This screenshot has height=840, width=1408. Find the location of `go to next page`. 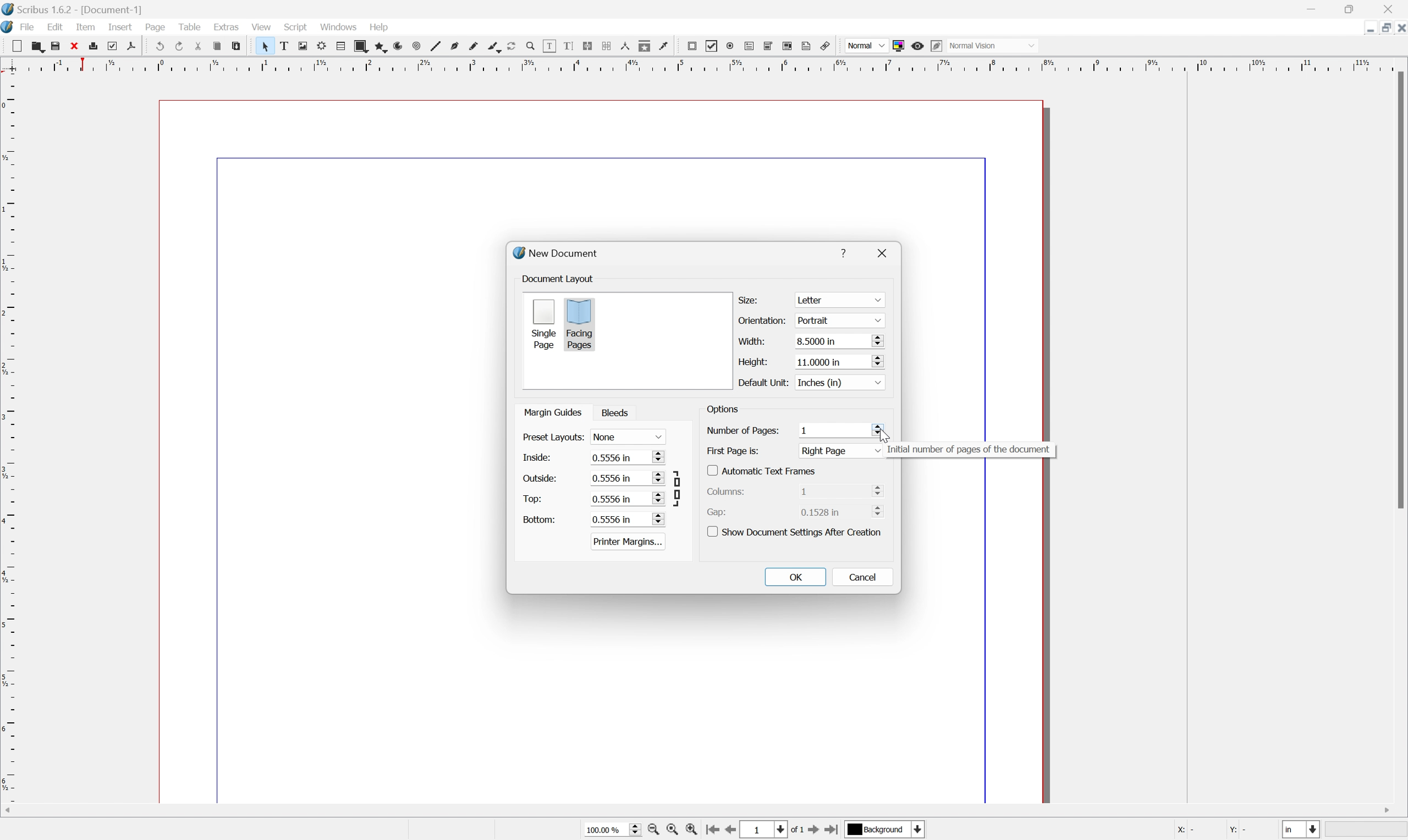

go to next page is located at coordinates (814, 831).